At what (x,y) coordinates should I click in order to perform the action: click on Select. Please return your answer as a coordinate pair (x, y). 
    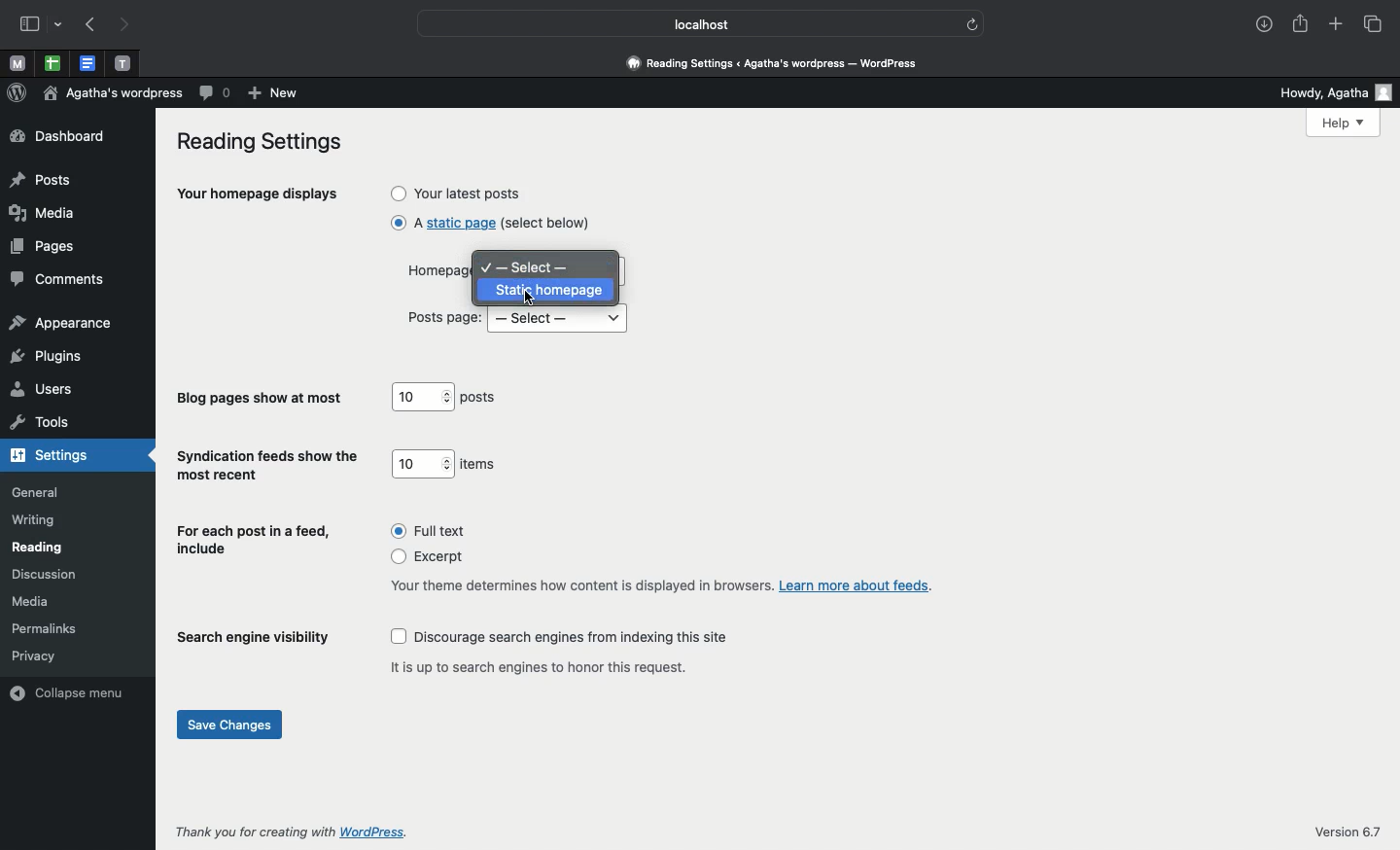
    Looking at the image, I should click on (533, 266).